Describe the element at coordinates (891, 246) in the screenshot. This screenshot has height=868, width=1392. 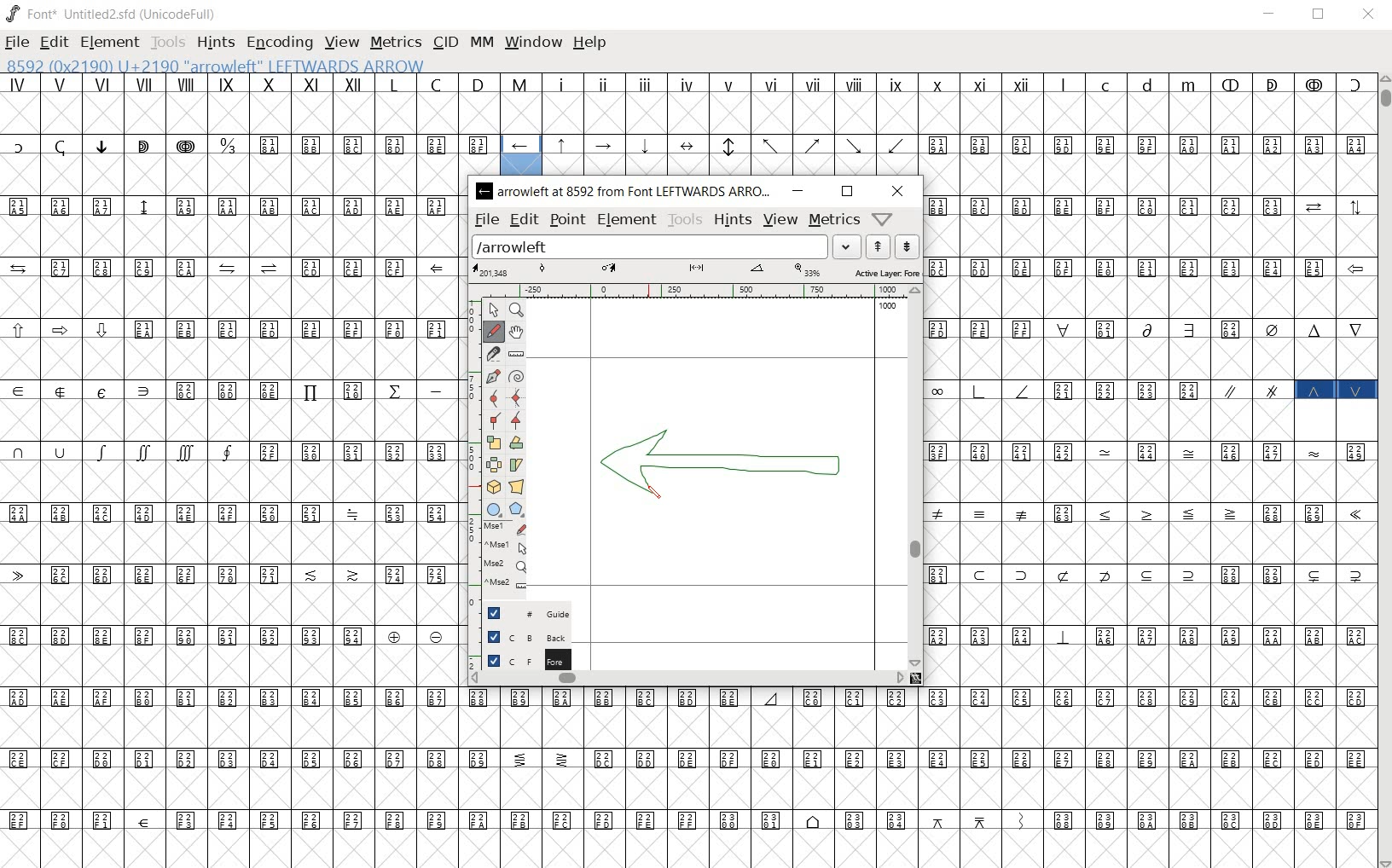
I see `show the next/previous word on the list` at that location.